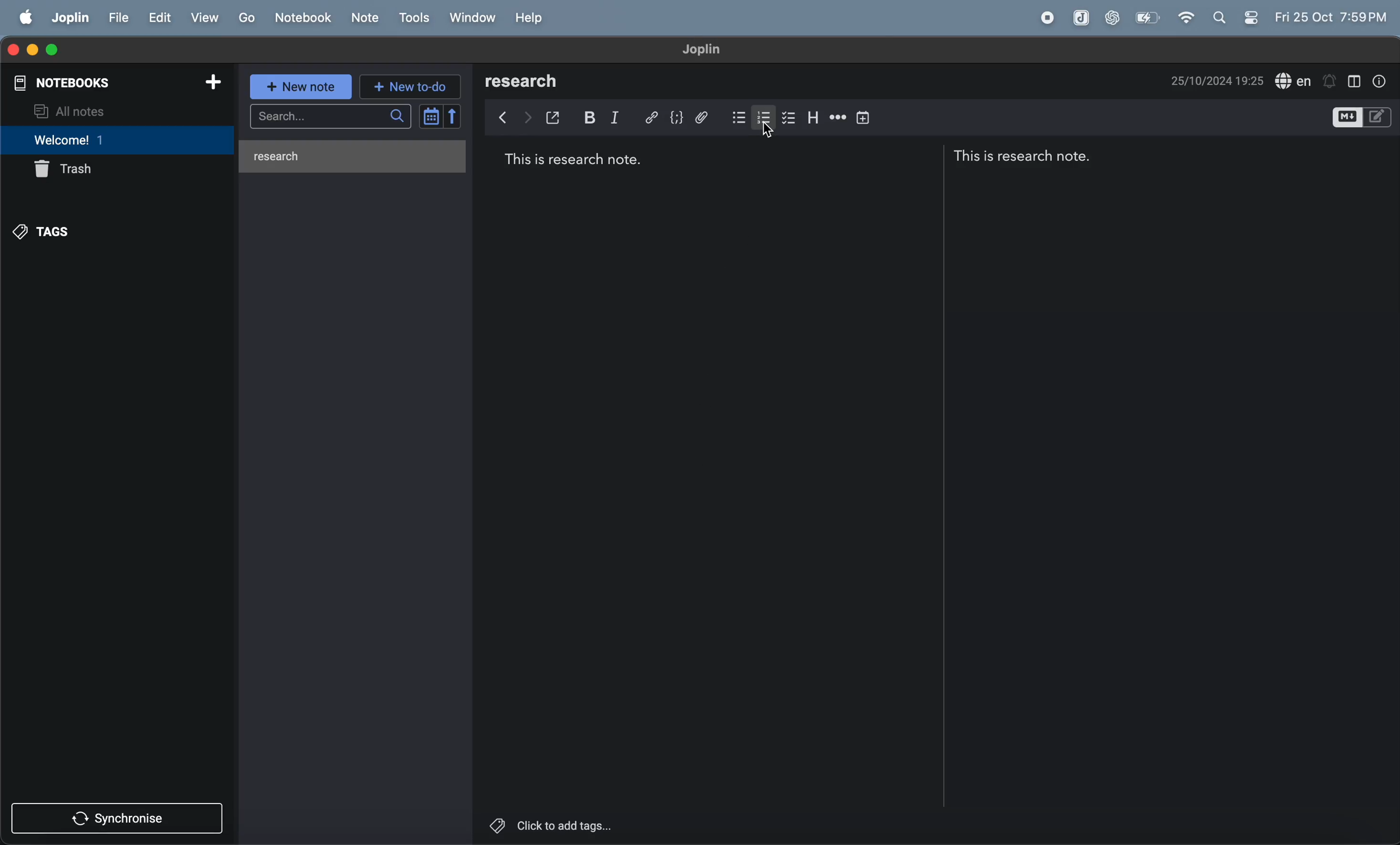 The image size is (1400, 845). What do you see at coordinates (1294, 82) in the screenshot?
I see `spell check` at bounding box center [1294, 82].